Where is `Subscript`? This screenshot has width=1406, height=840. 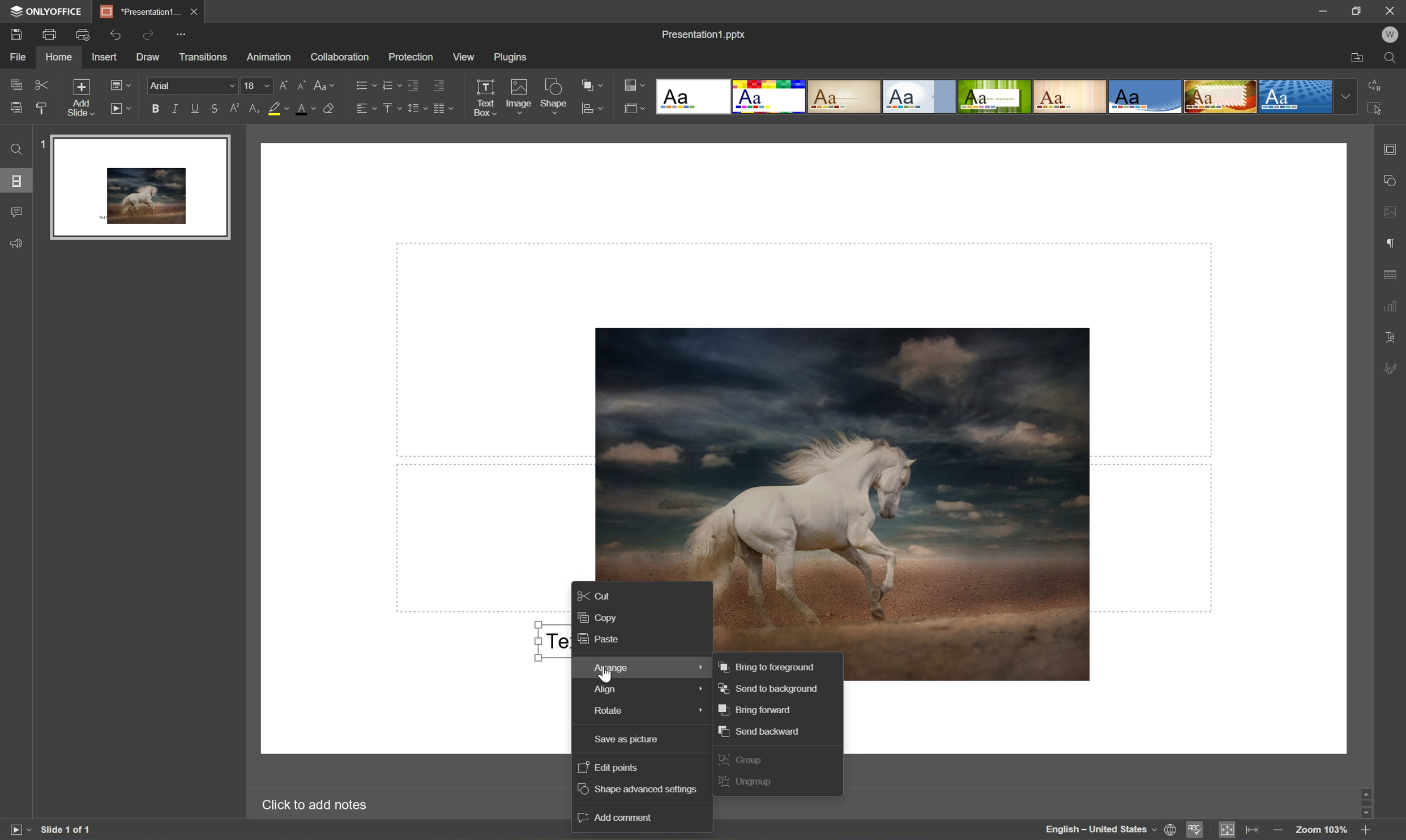
Subscript is located at coordinates (256, 109).